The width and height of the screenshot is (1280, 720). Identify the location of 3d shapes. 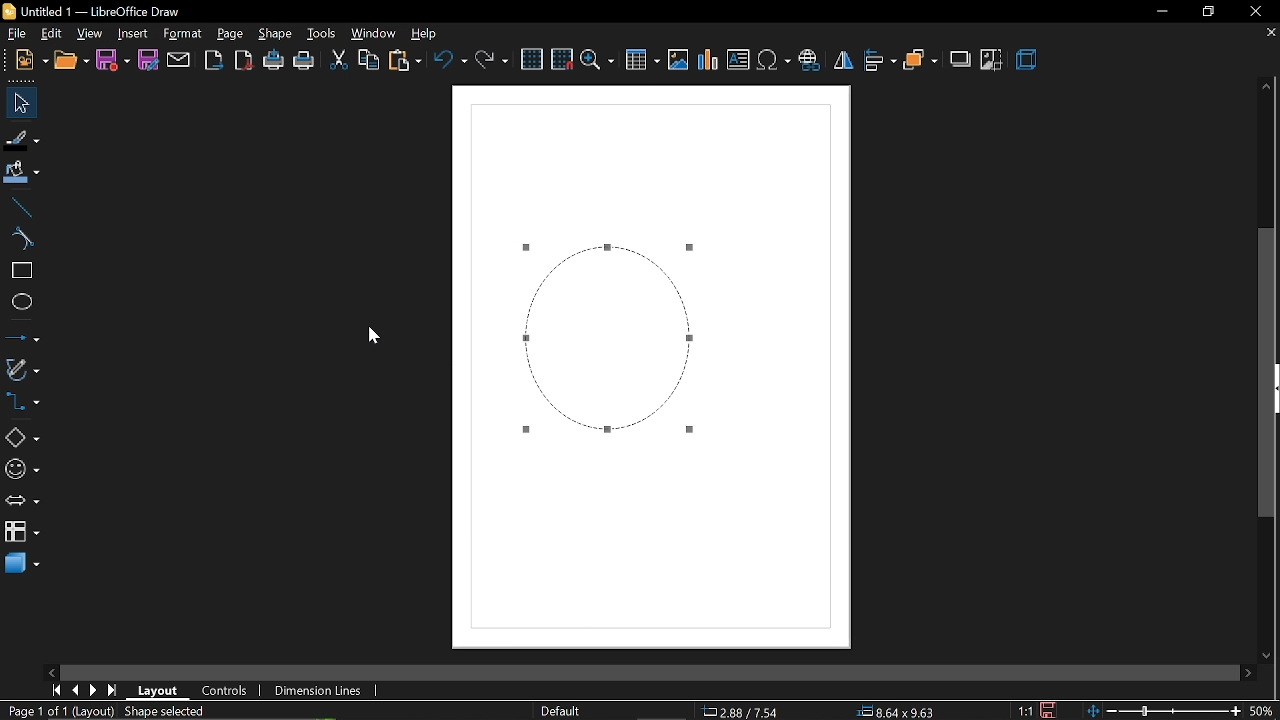
(21, 563).